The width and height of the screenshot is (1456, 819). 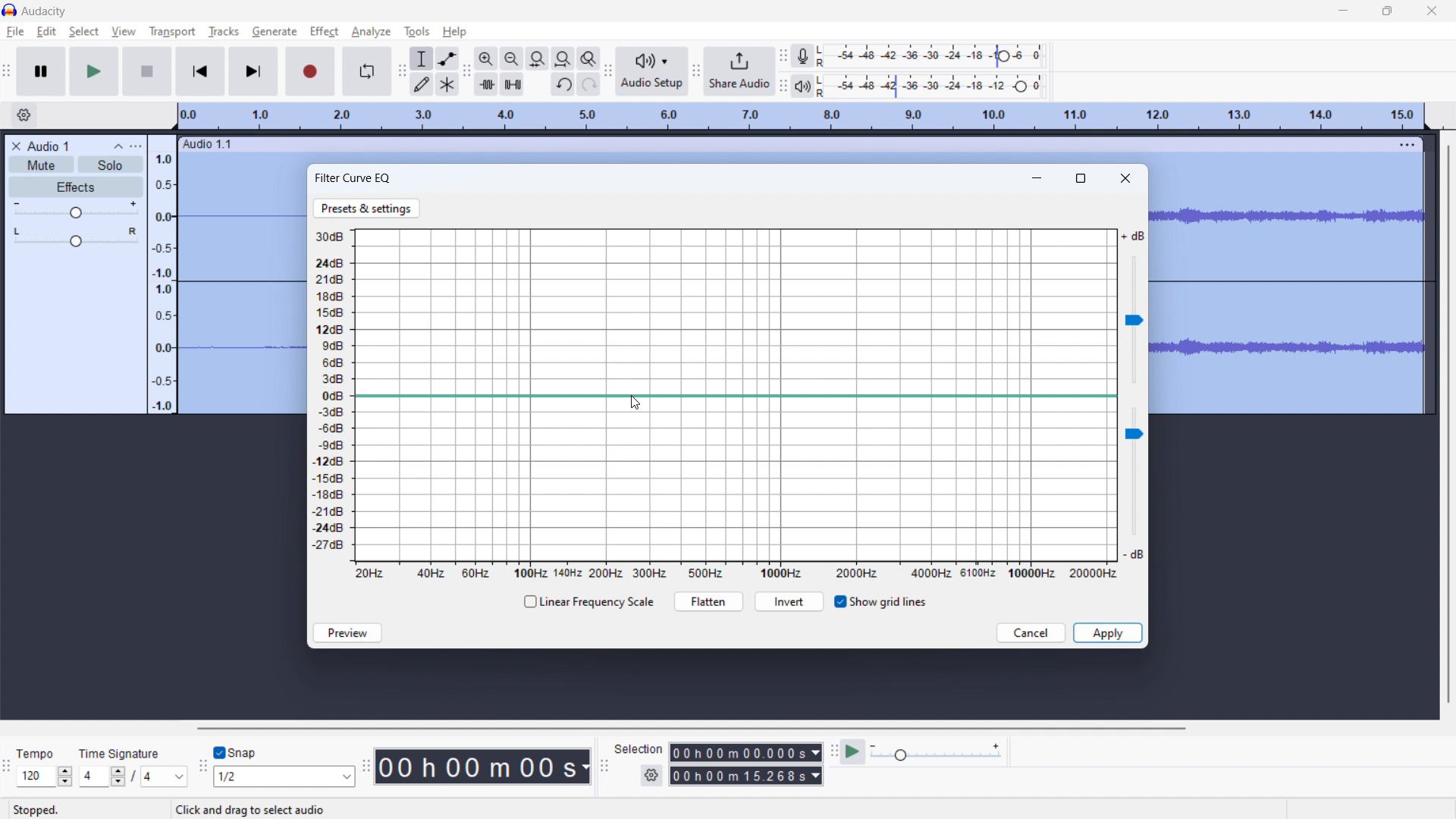 What do you see at coordinates (77, 187) in the screenshot?
I see `effects` at bounding box center [77, 187].